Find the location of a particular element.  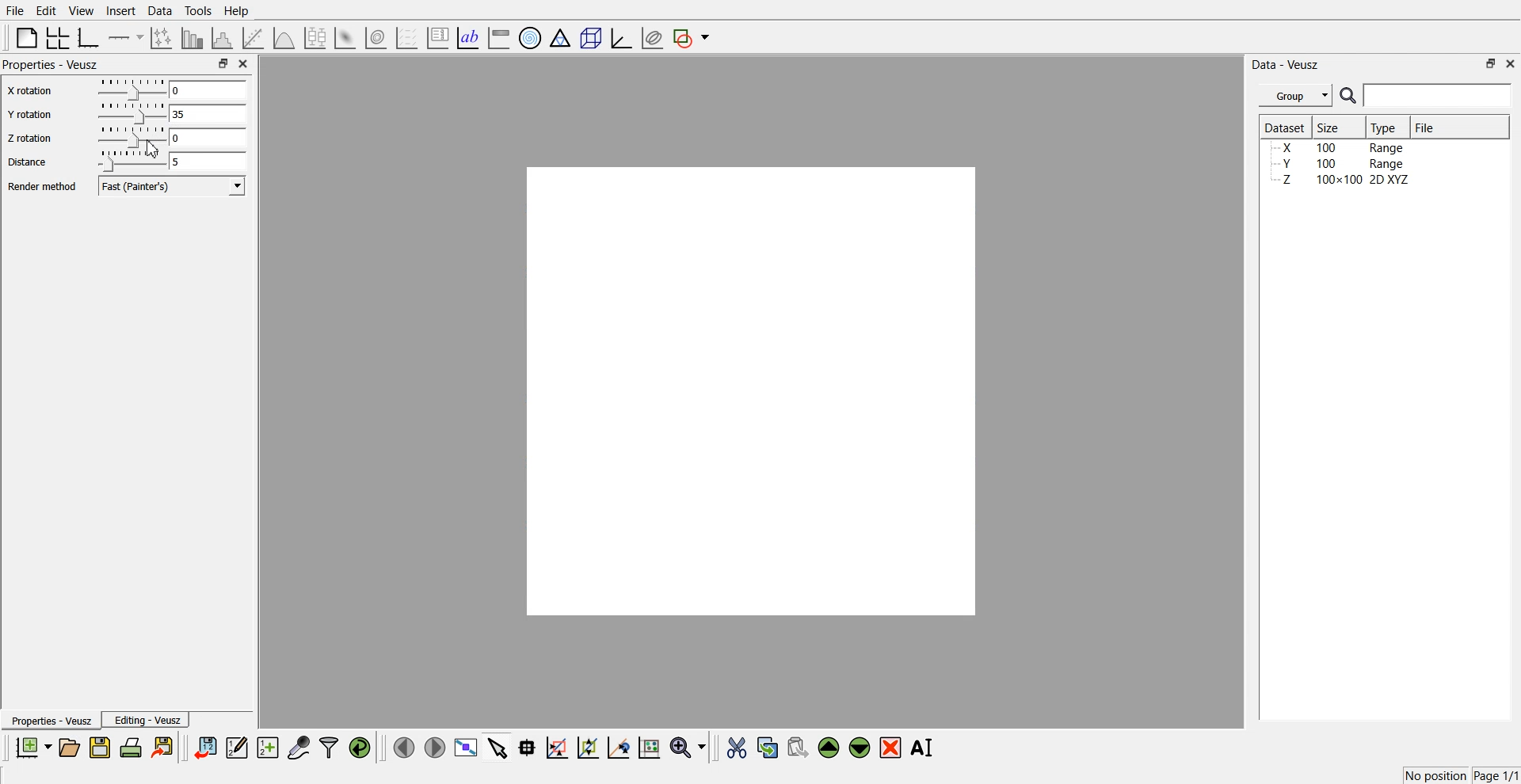

Image color bar is located at coordinates (499, 37).